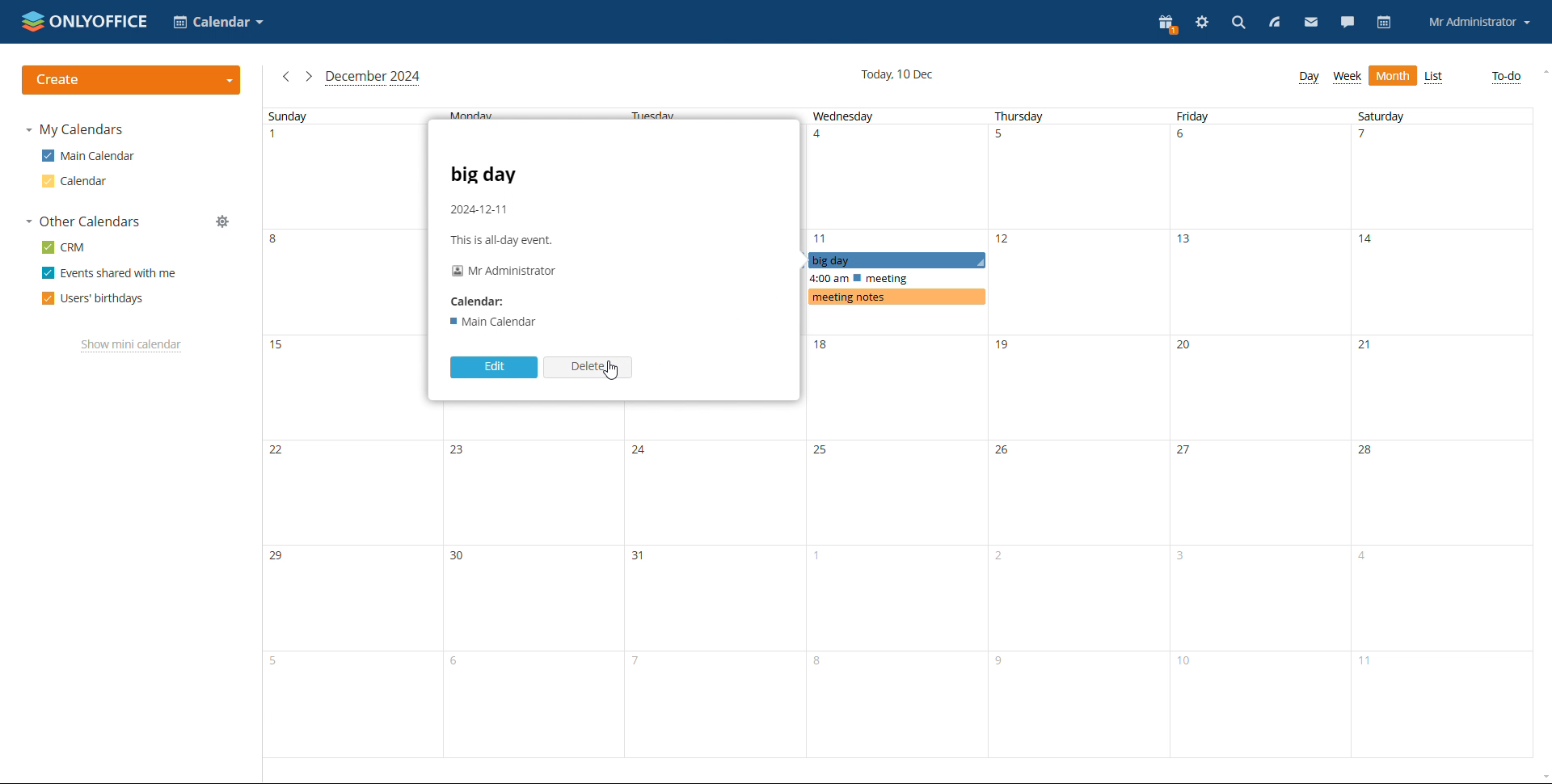  Describe the element at coordinates (218, 21) in the screenshot. I see `select application` at that location.